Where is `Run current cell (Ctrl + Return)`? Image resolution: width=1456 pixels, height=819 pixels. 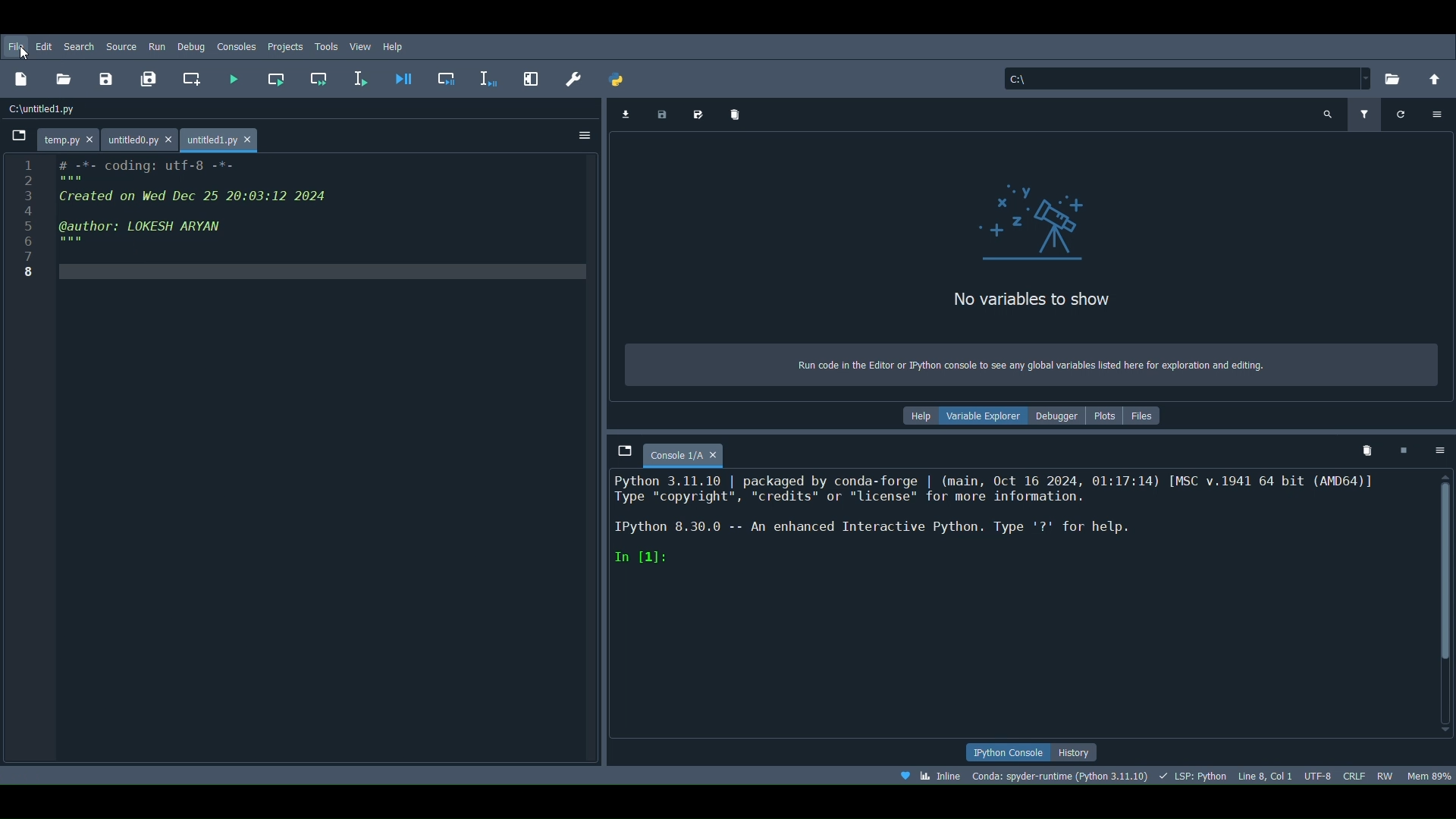 Run current cell (Ctrl + Return) is located at coordinates (279, 74).